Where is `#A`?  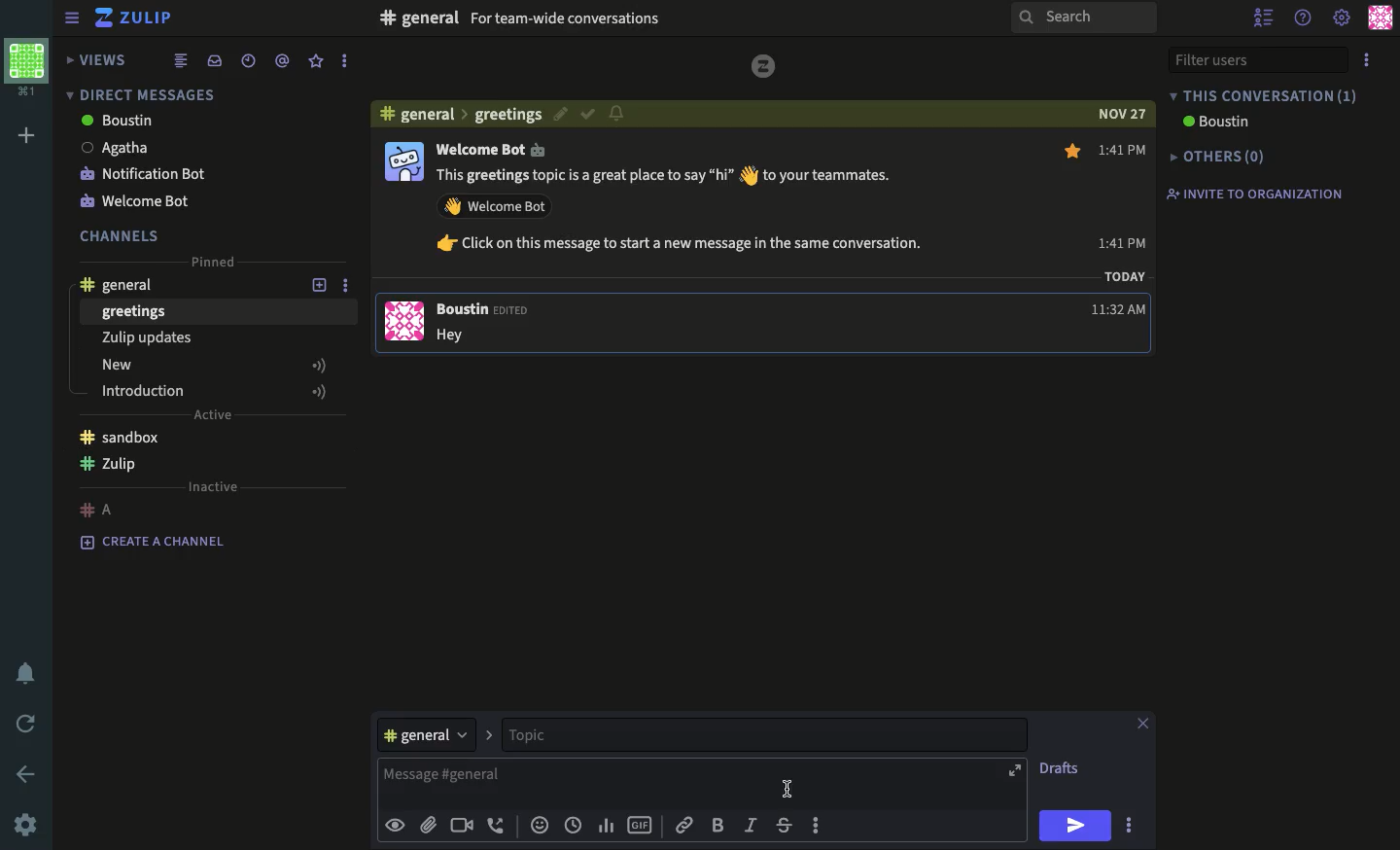 #A is located at coordinates (100, 506).